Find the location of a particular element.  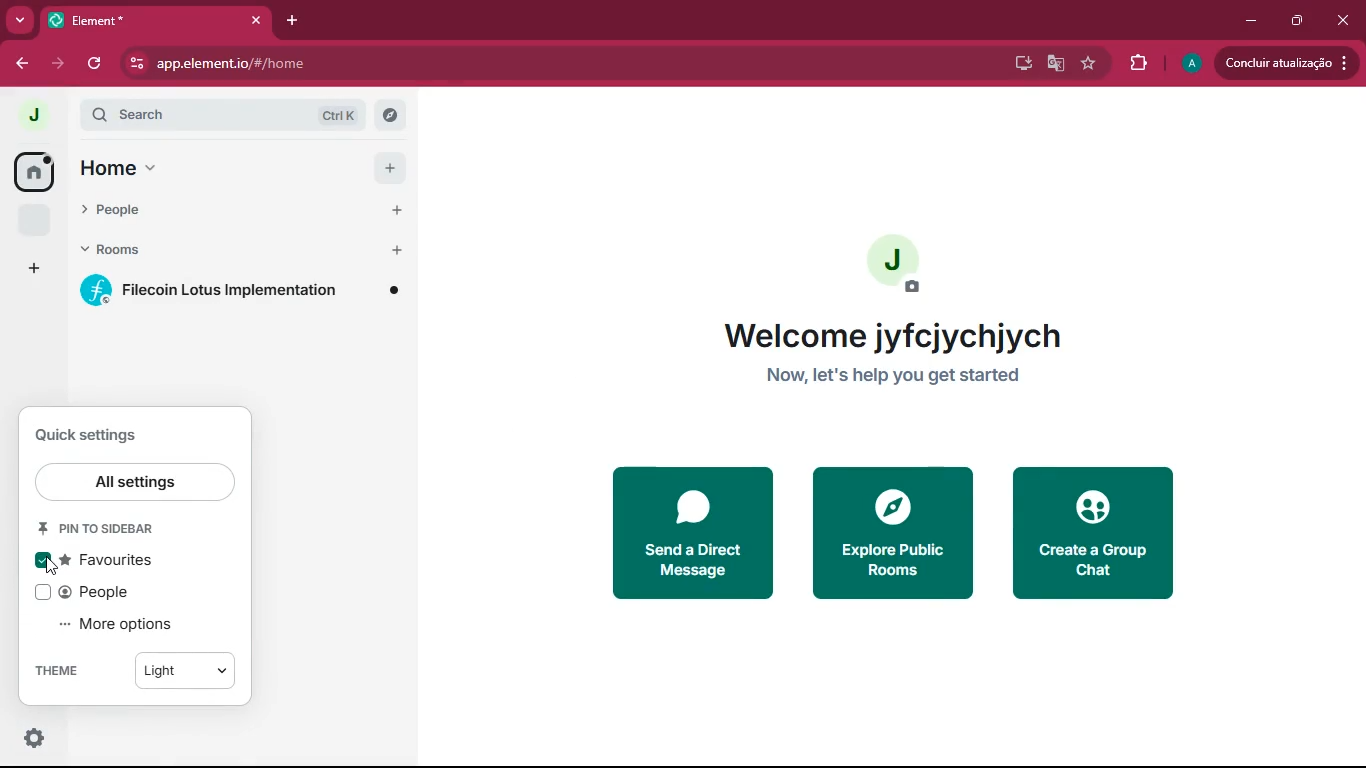

people is located at coordinates (100, 593).